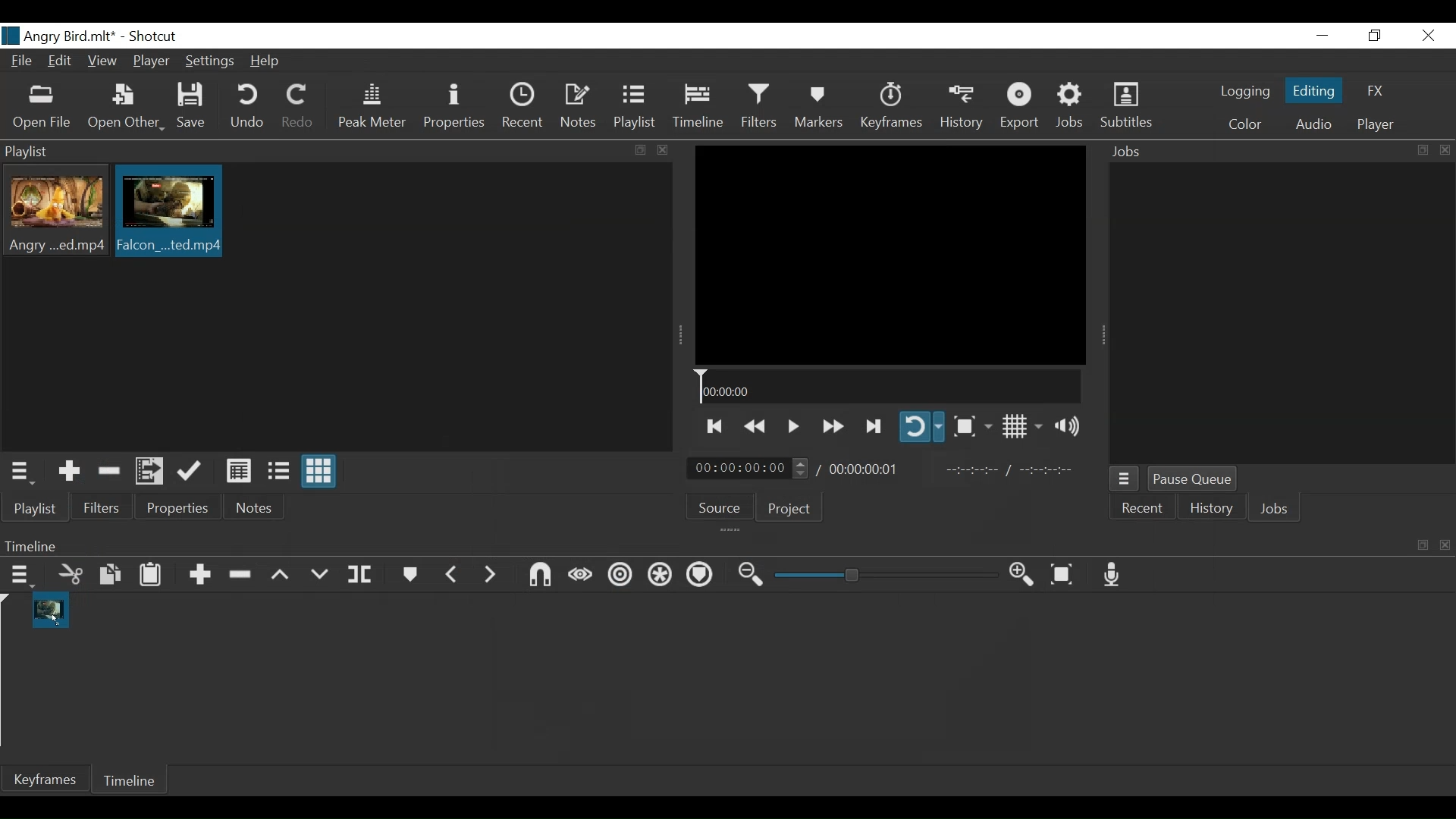 This screenshot has height=819, width=1456. What do you see at coordinates (583, 576) in the screenshot?
I see `Scrub while dragging` at bounding box center [583, 576].